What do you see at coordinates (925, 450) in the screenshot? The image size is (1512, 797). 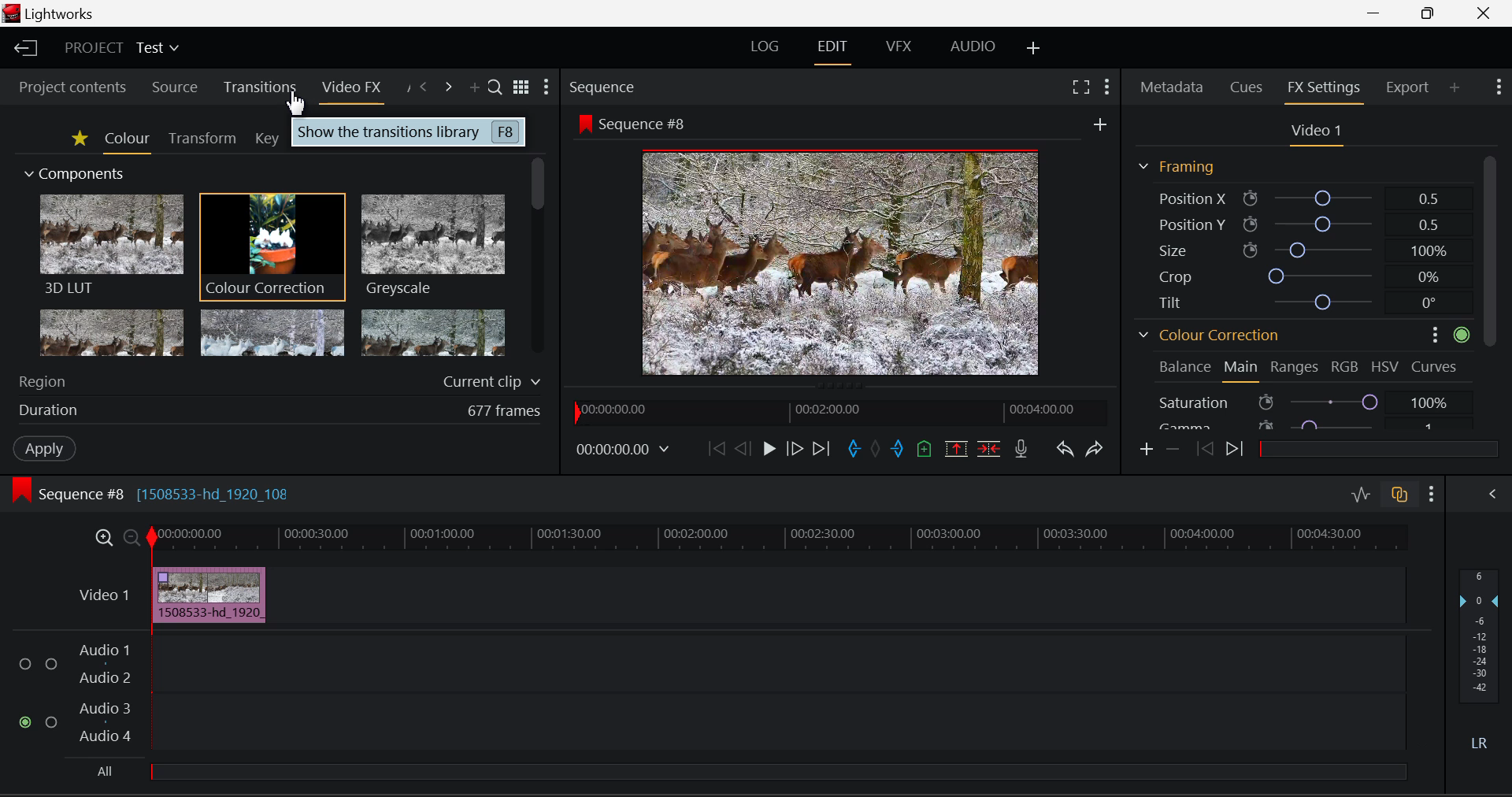 I see `Mark Cue` at bounding box center [925, 450].